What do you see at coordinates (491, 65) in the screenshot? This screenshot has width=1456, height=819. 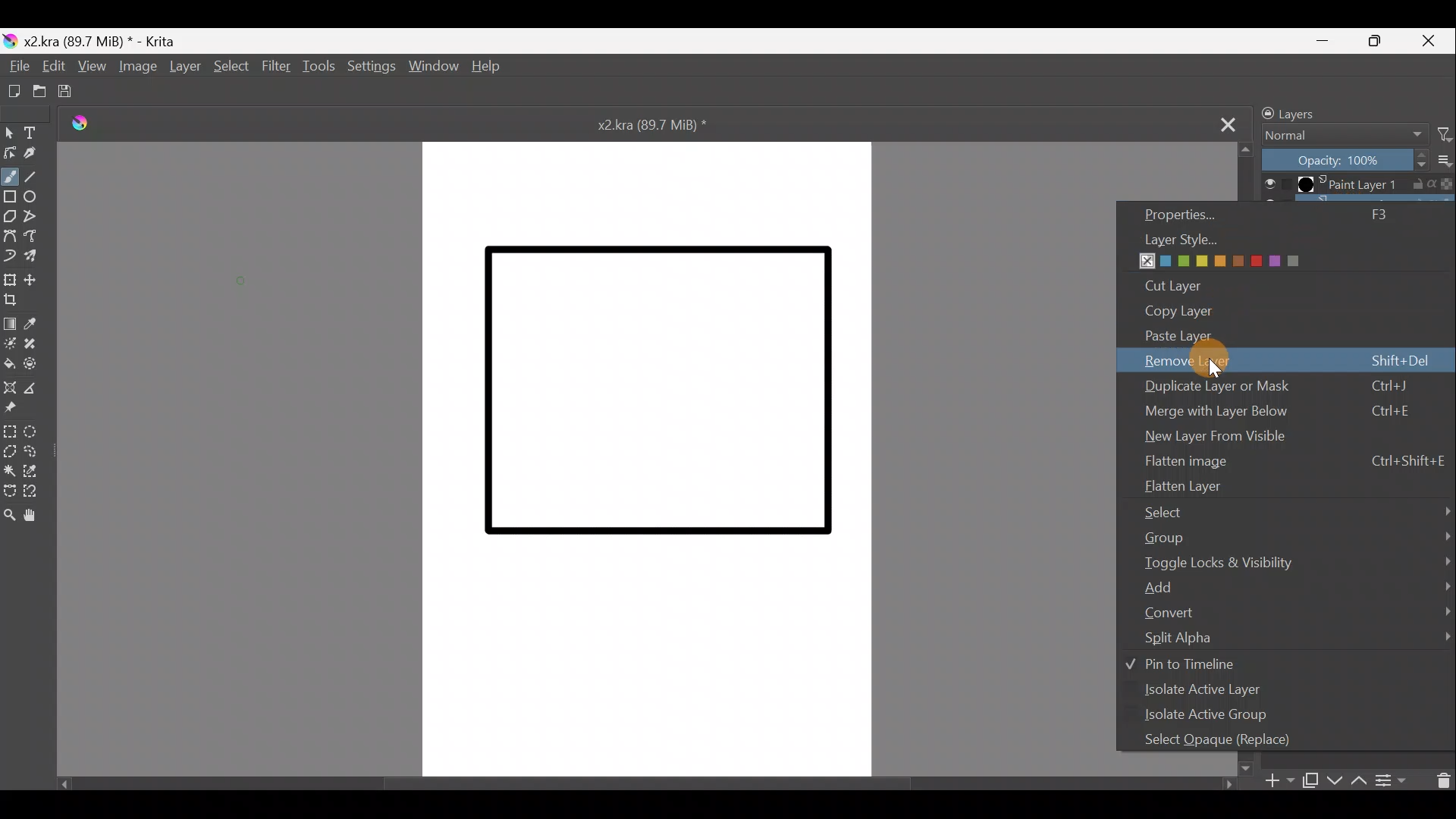 I see `Help` at bounding box center [491, 65].